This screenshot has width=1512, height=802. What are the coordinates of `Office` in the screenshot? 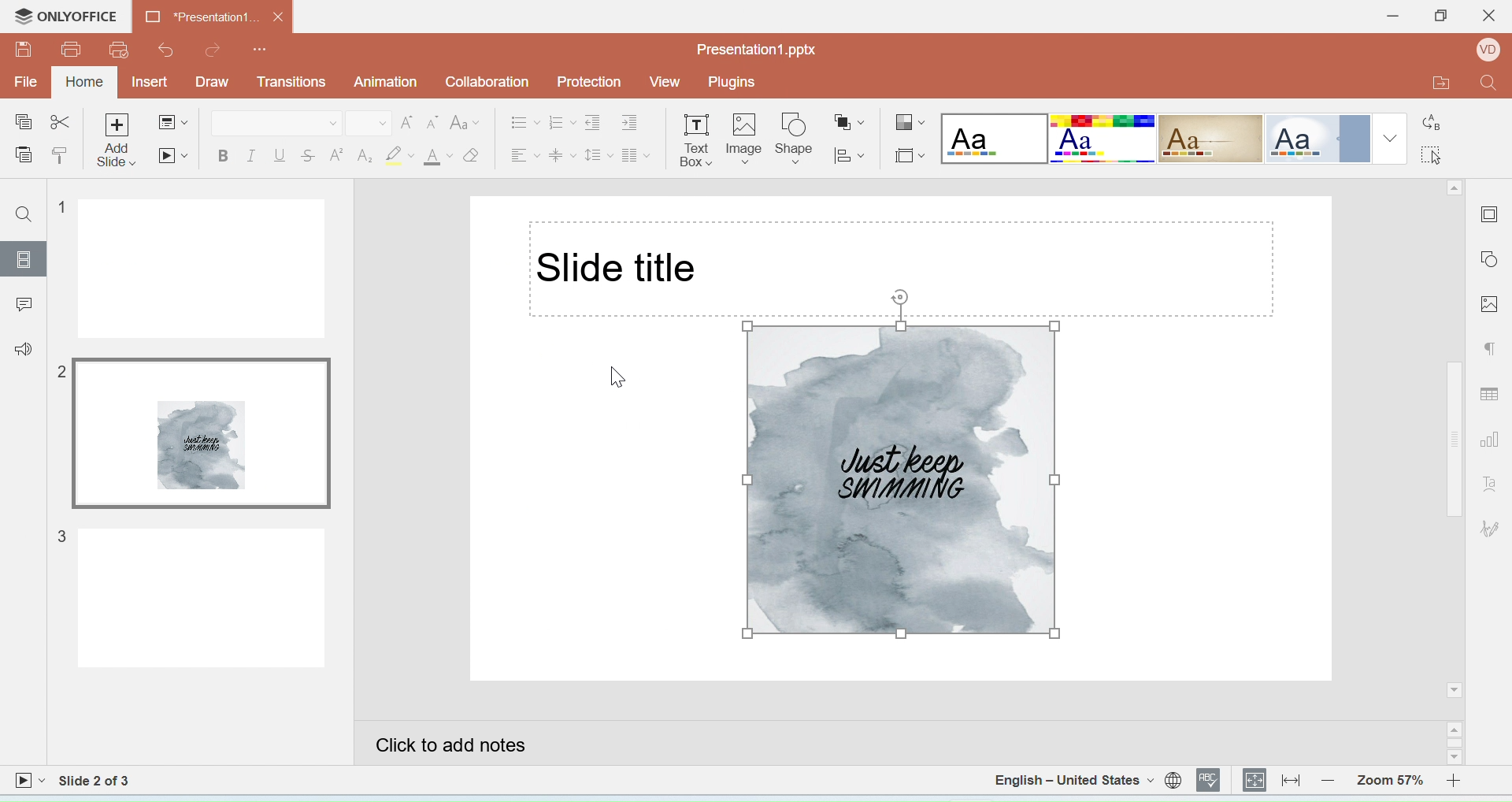 It's located at (1316, 139).